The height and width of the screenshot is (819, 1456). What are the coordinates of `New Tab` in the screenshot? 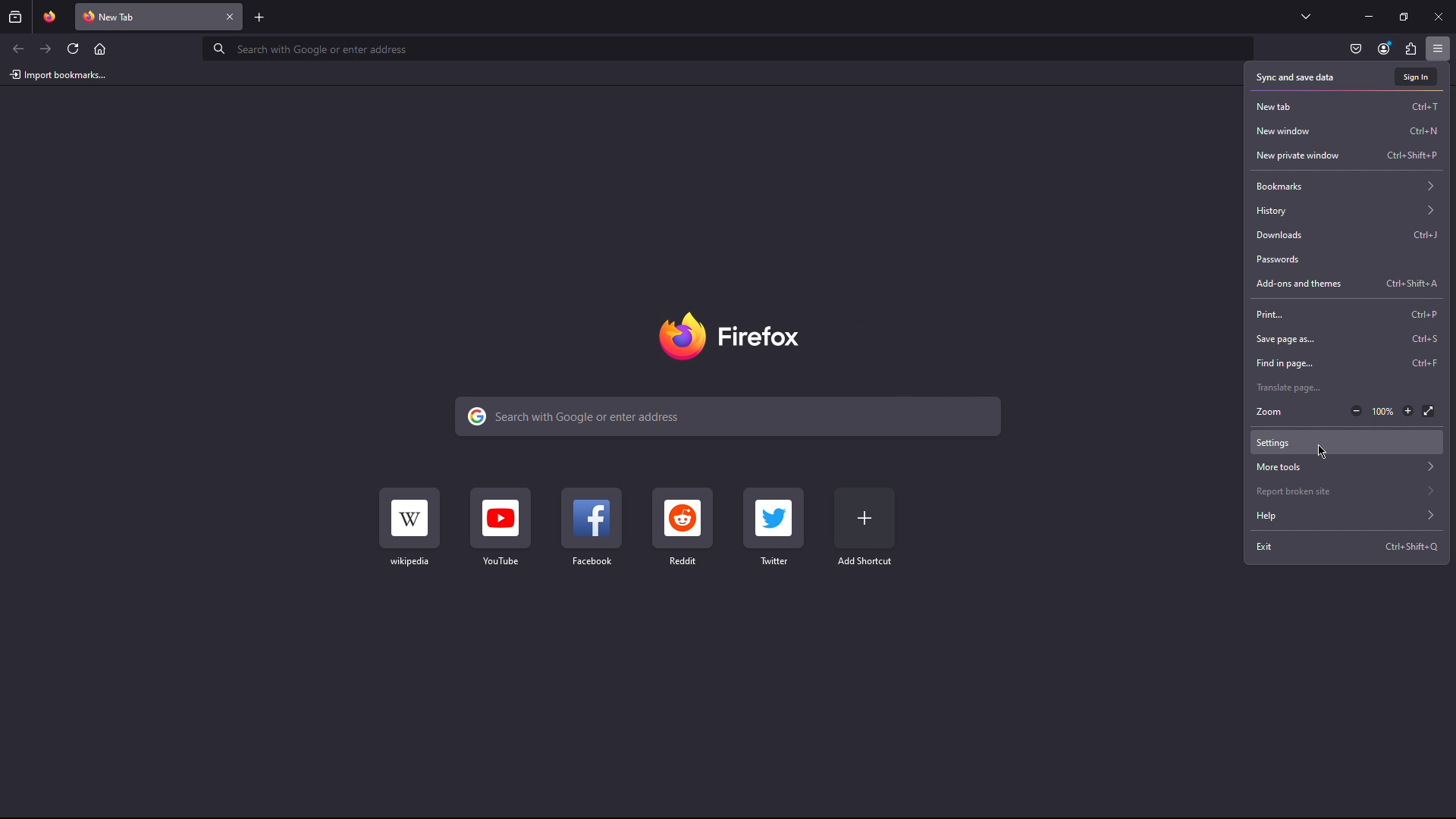 It's located at (148, 17).